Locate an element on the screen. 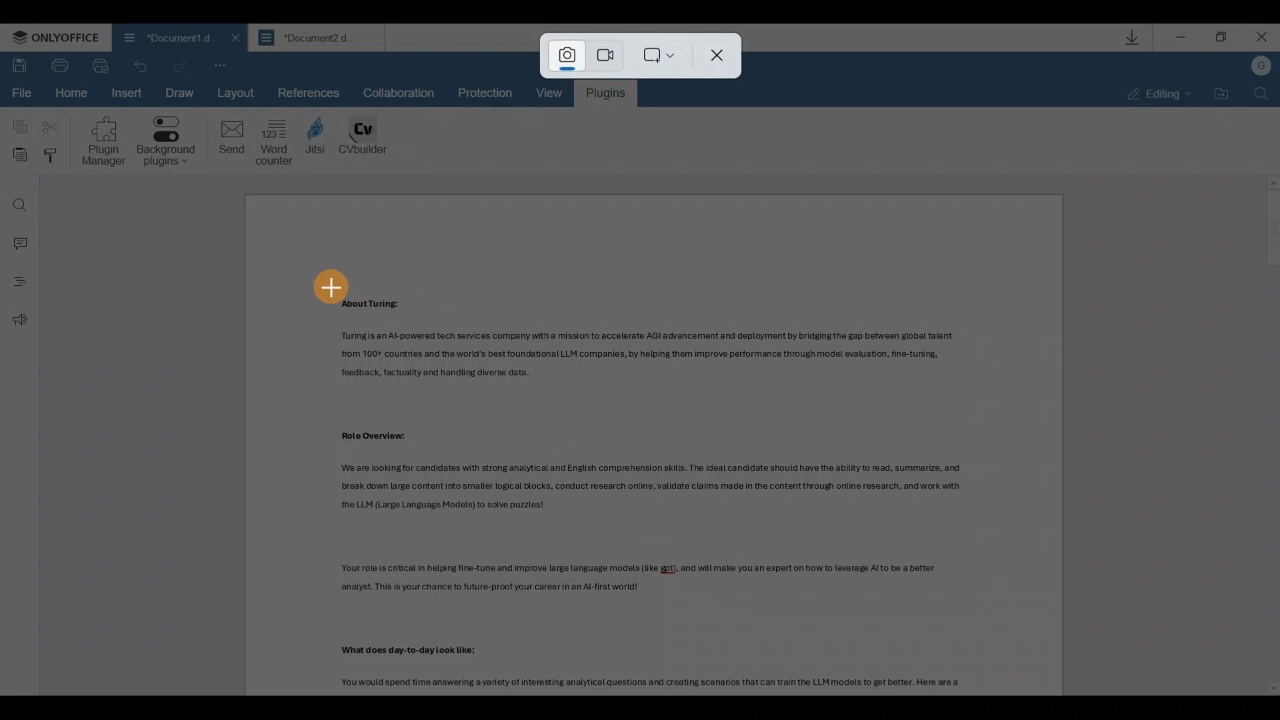 This screenshot has height=720, width=1280. Send is located at coordinates (226, 140).